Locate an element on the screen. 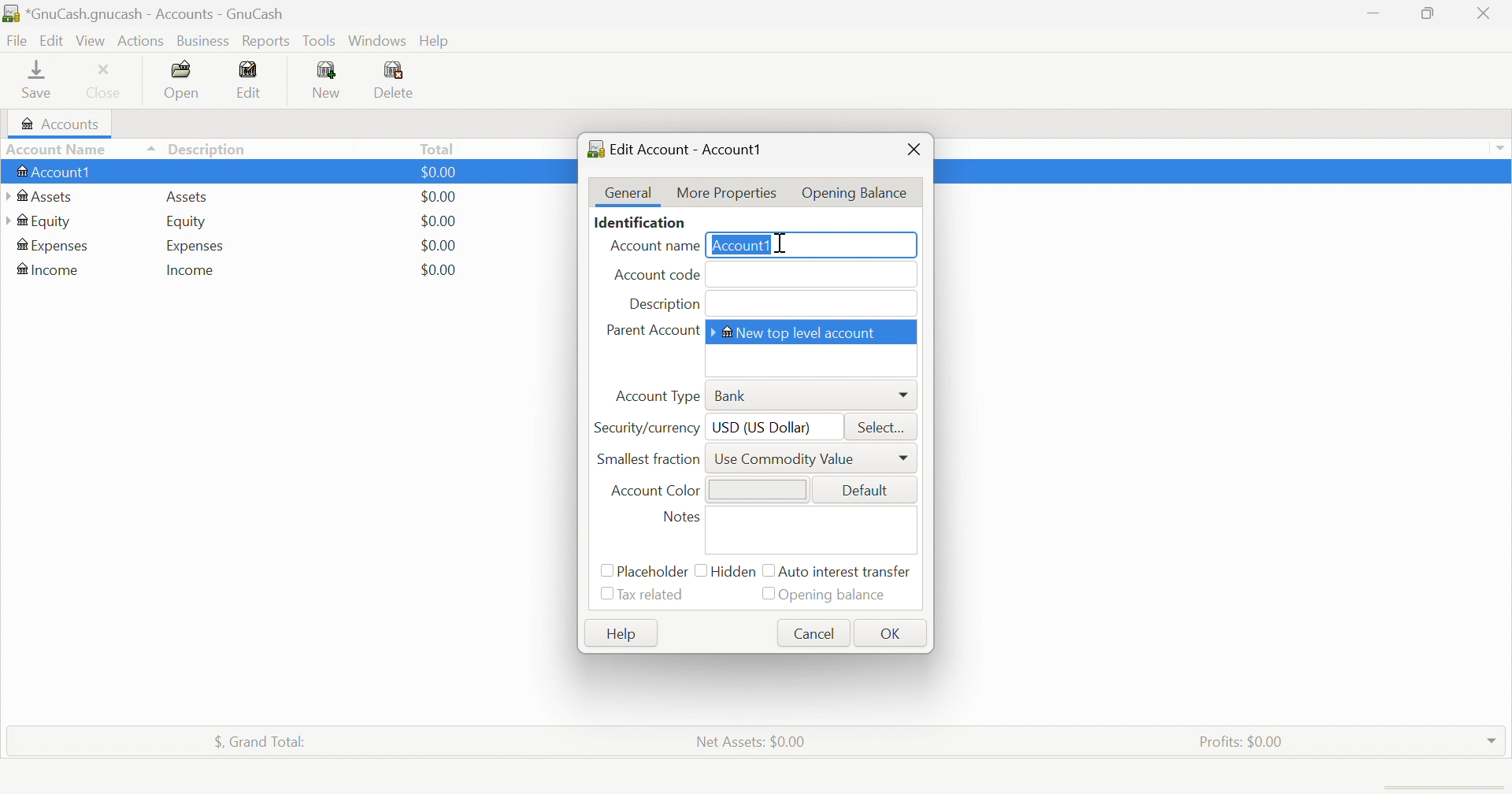 The image size is (1512, 794). Help is located at coordinates (436, 42).